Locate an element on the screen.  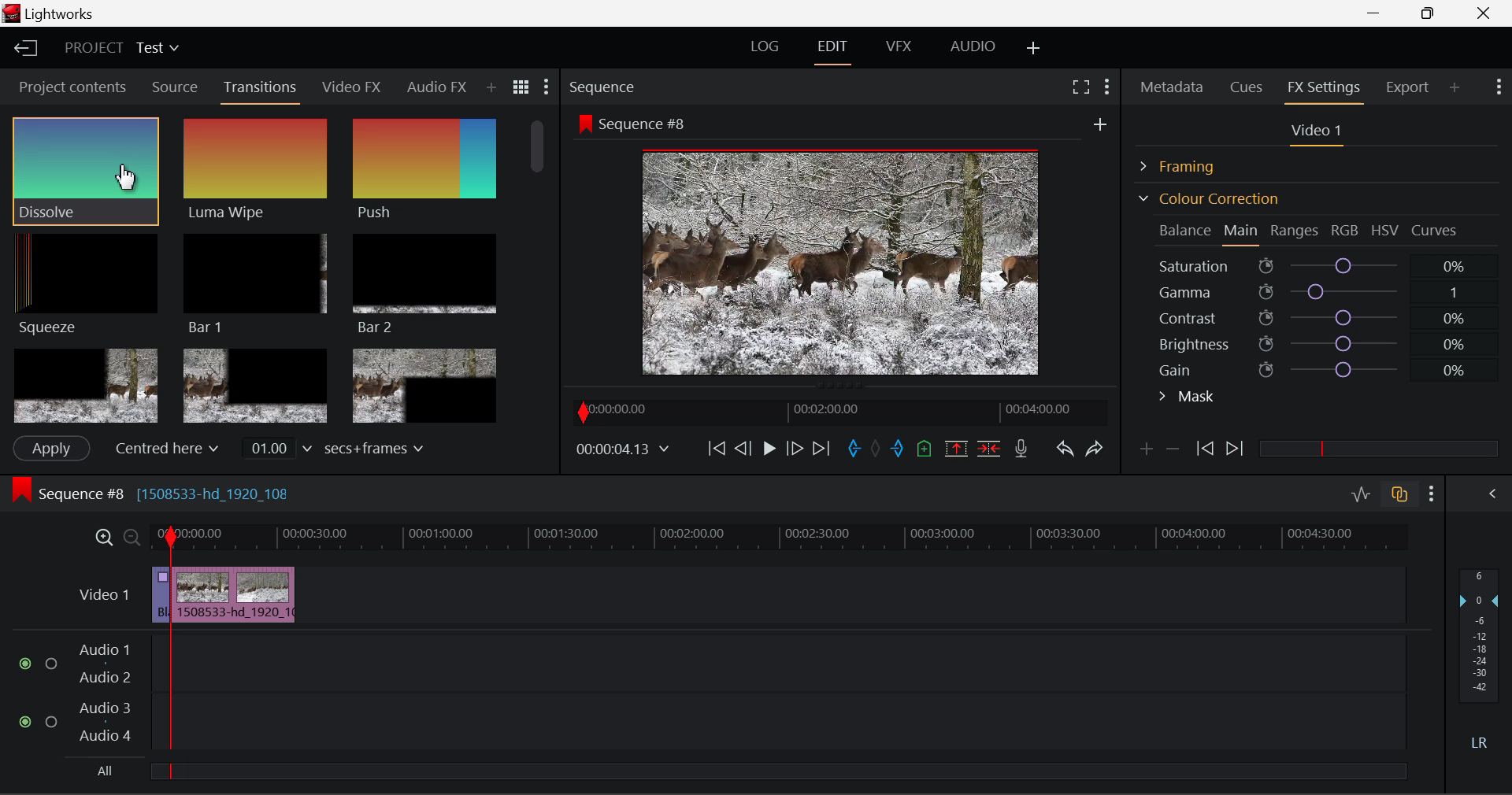
Cues Panel is located at coordinates (1248, 85).